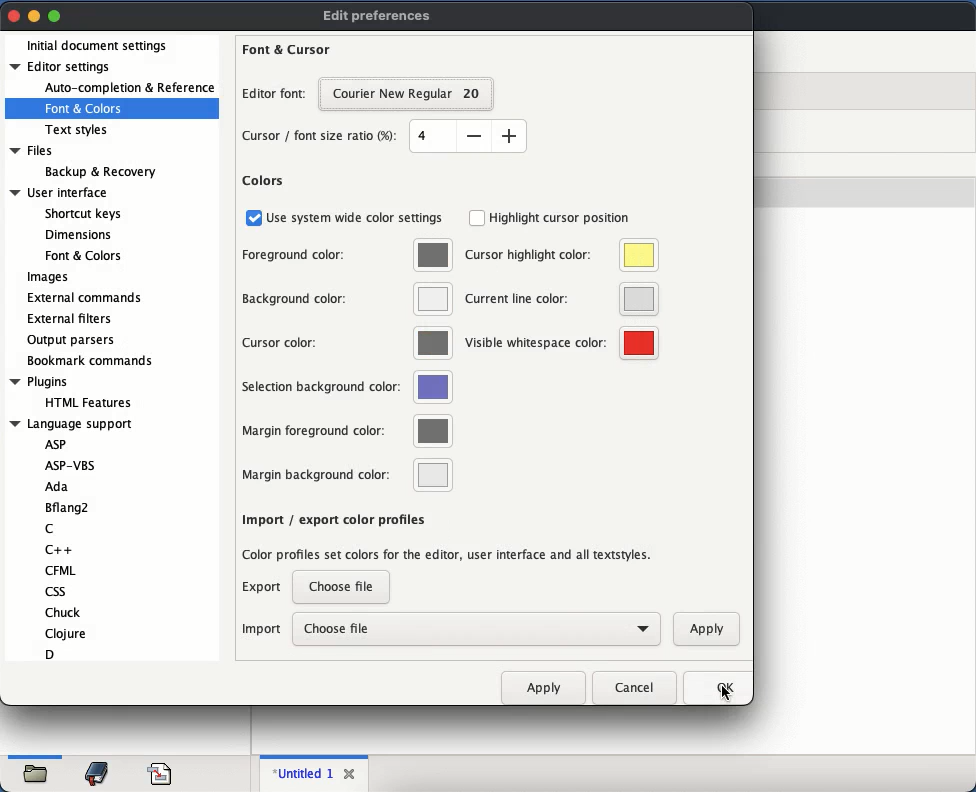 The width and height of the screenshot is (976, 792). I want to click on css, so click(62, 591).